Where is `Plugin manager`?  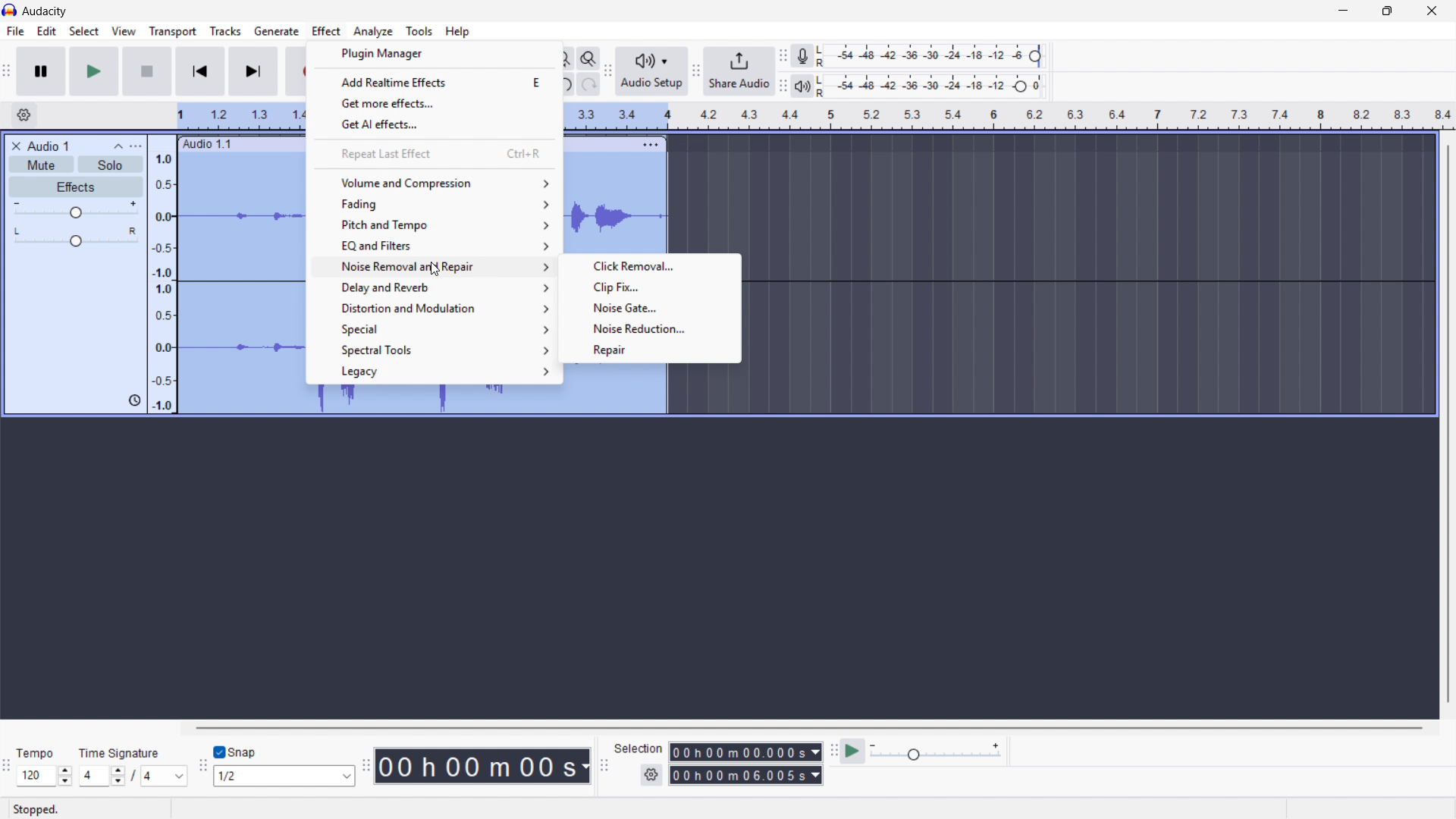
Plugin manager is located at coordinates (434, 54).